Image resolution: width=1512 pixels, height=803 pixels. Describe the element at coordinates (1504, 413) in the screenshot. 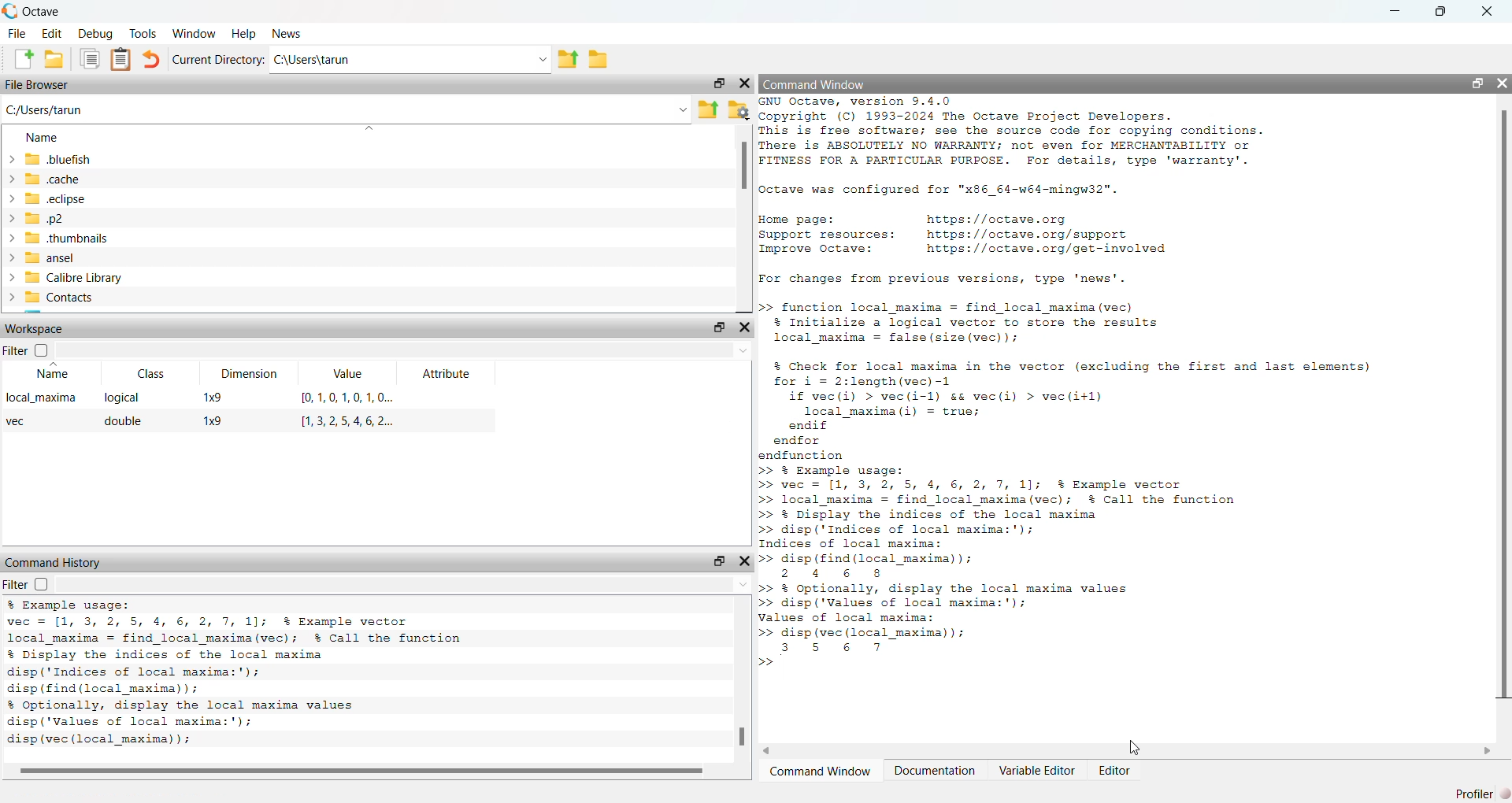

I see `vertical scroll bar` at that location.